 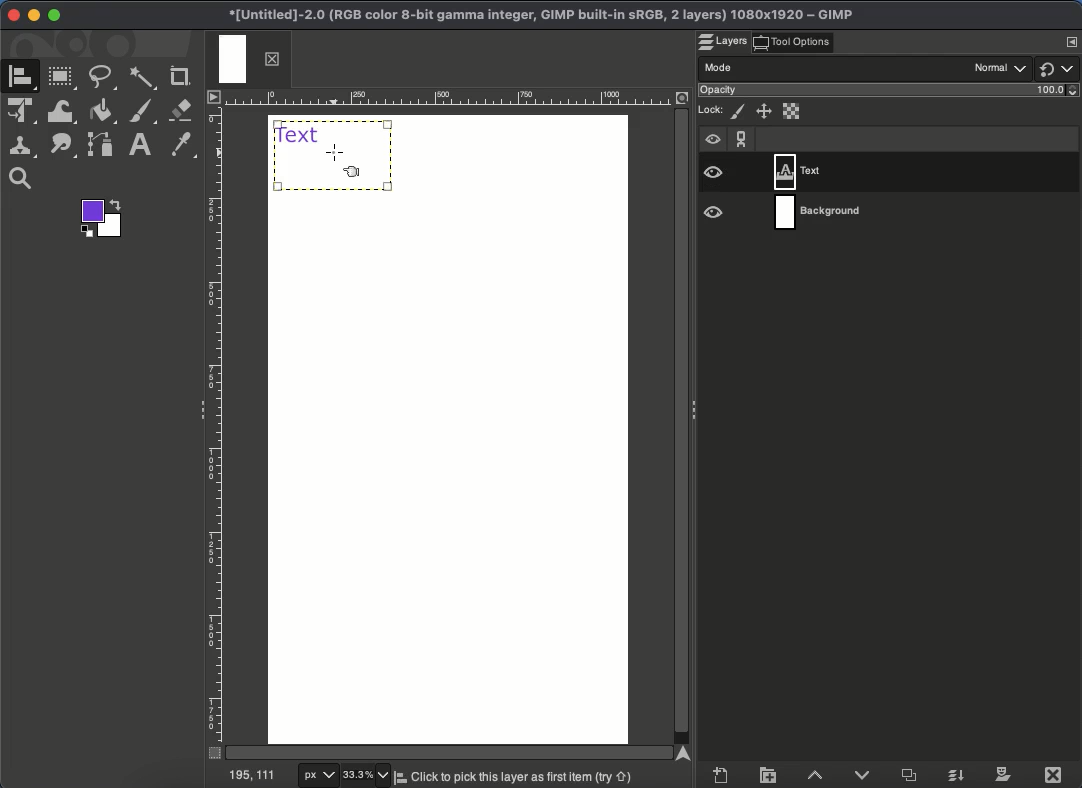 I want to click on Foreground color, so click(x=103, y=218).